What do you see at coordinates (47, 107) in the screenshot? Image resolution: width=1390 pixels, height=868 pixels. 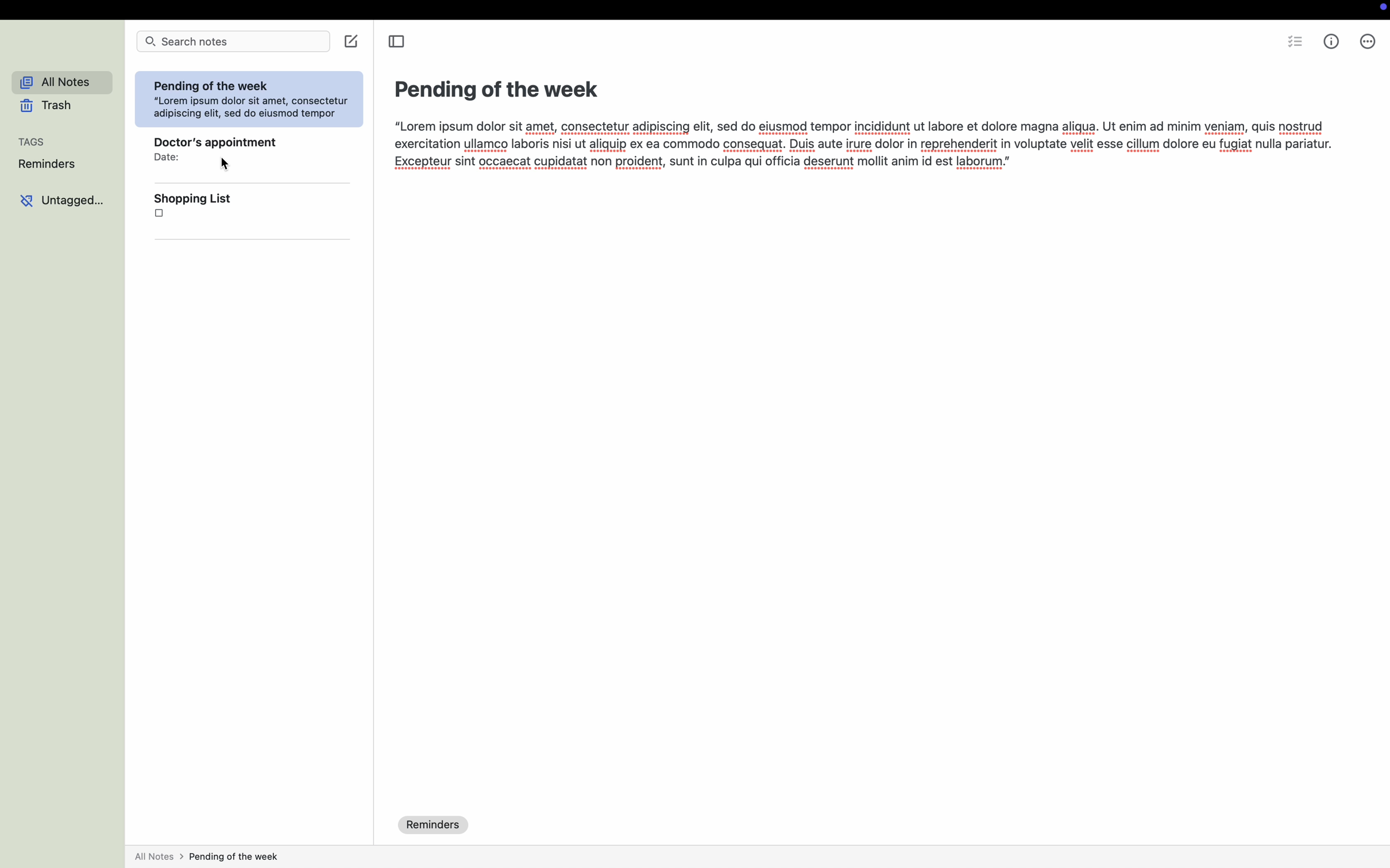 I see `trash` at bounding box center [47, 107].